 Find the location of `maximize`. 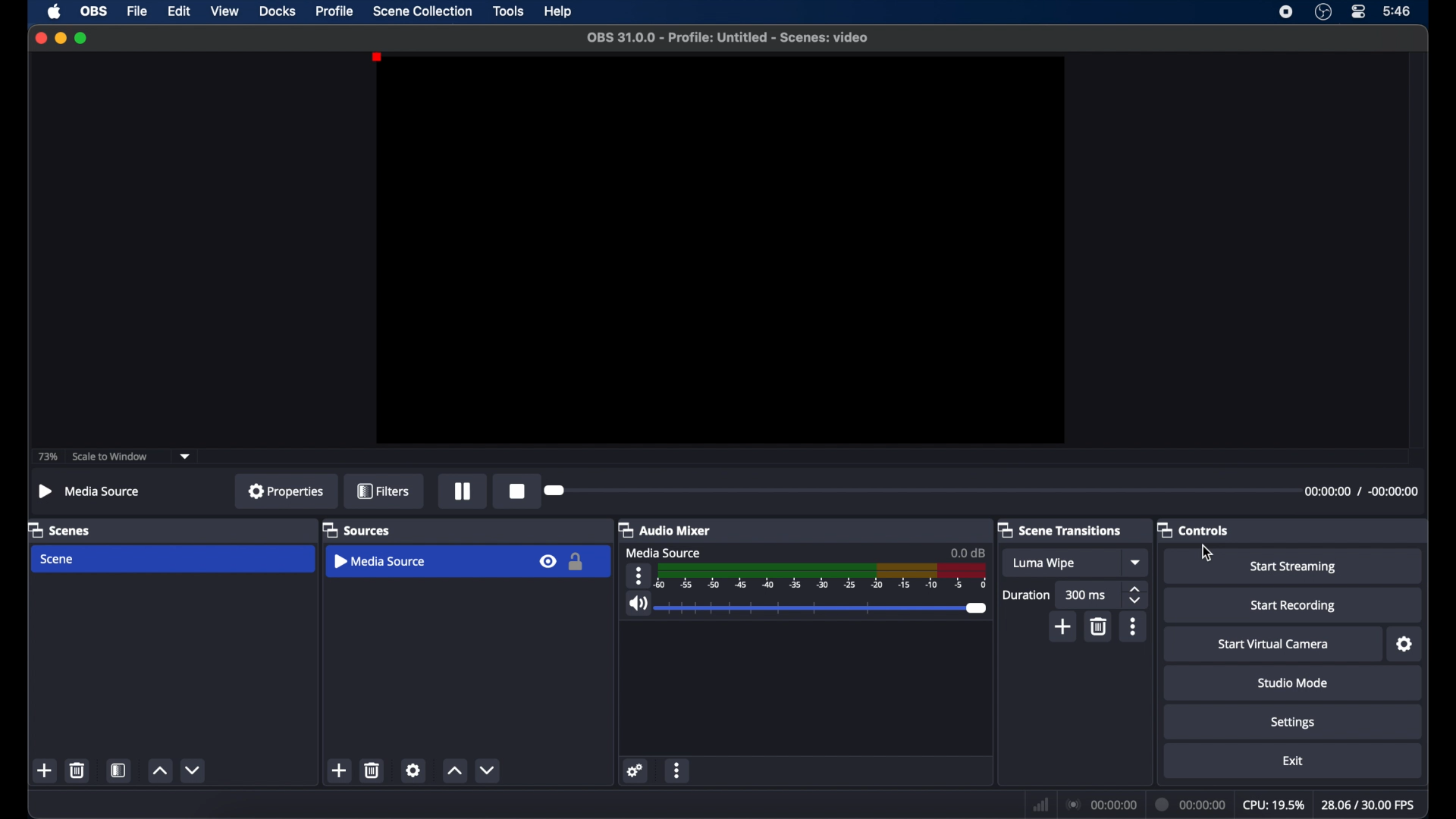

maximize is located at coordinates (82, 38).